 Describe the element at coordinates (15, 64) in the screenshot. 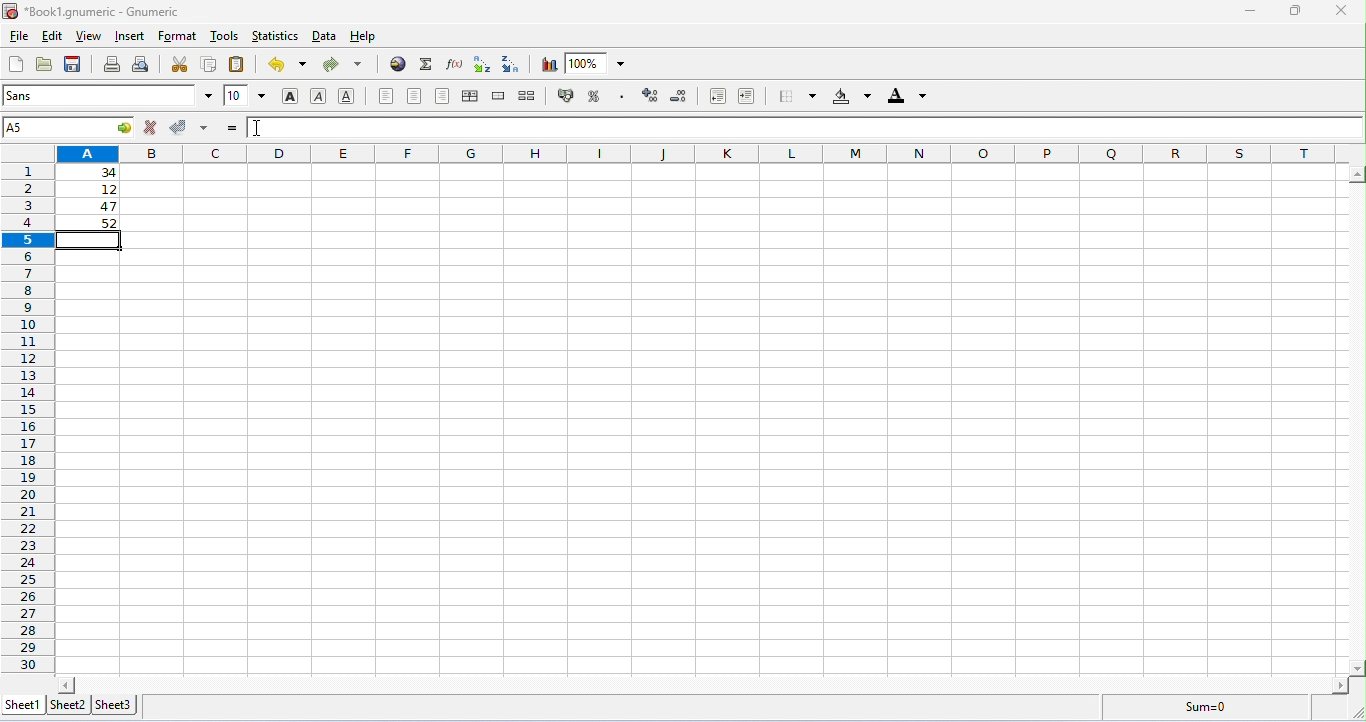

I see `new` at that location.